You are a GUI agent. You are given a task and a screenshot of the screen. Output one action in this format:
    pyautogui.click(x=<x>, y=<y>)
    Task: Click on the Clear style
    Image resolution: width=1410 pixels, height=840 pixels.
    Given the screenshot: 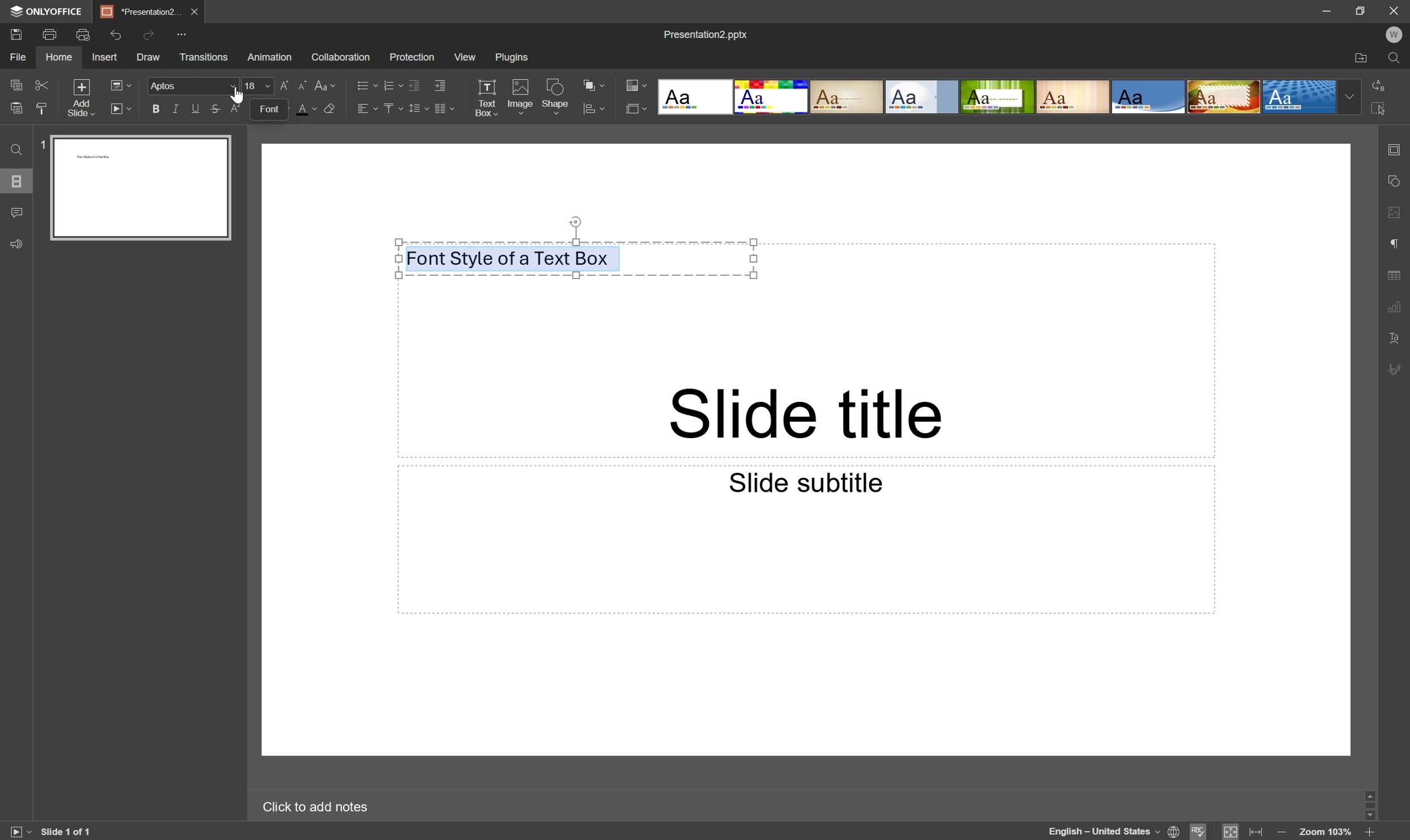 What is the action you would take?
    pyautogui.click(x=332, y=109)
    